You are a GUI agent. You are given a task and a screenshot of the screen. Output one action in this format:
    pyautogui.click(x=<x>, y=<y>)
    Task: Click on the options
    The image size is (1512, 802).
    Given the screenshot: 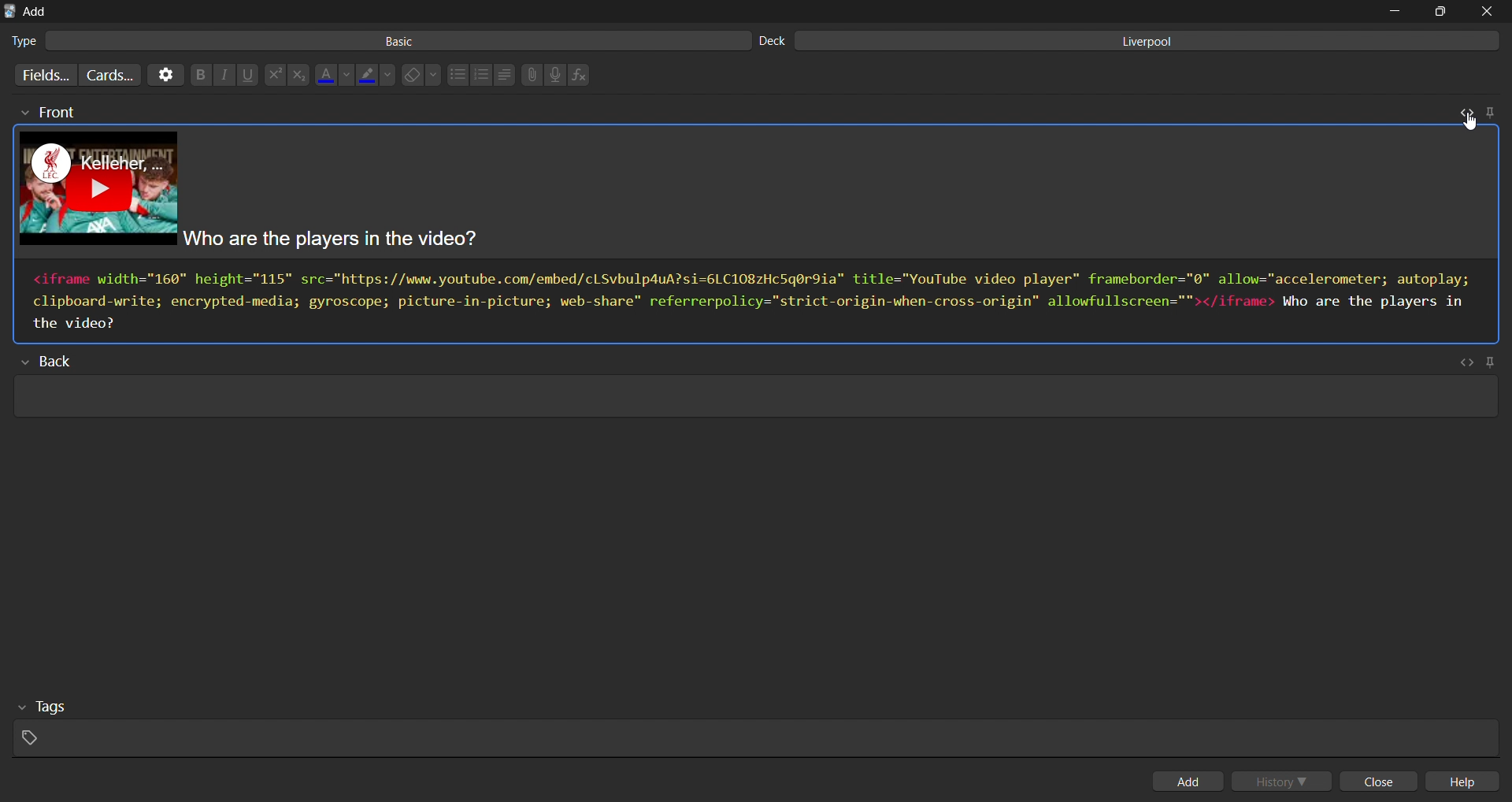 What is the action you would take?
    pyautogui.click(x=164, y=75)
    